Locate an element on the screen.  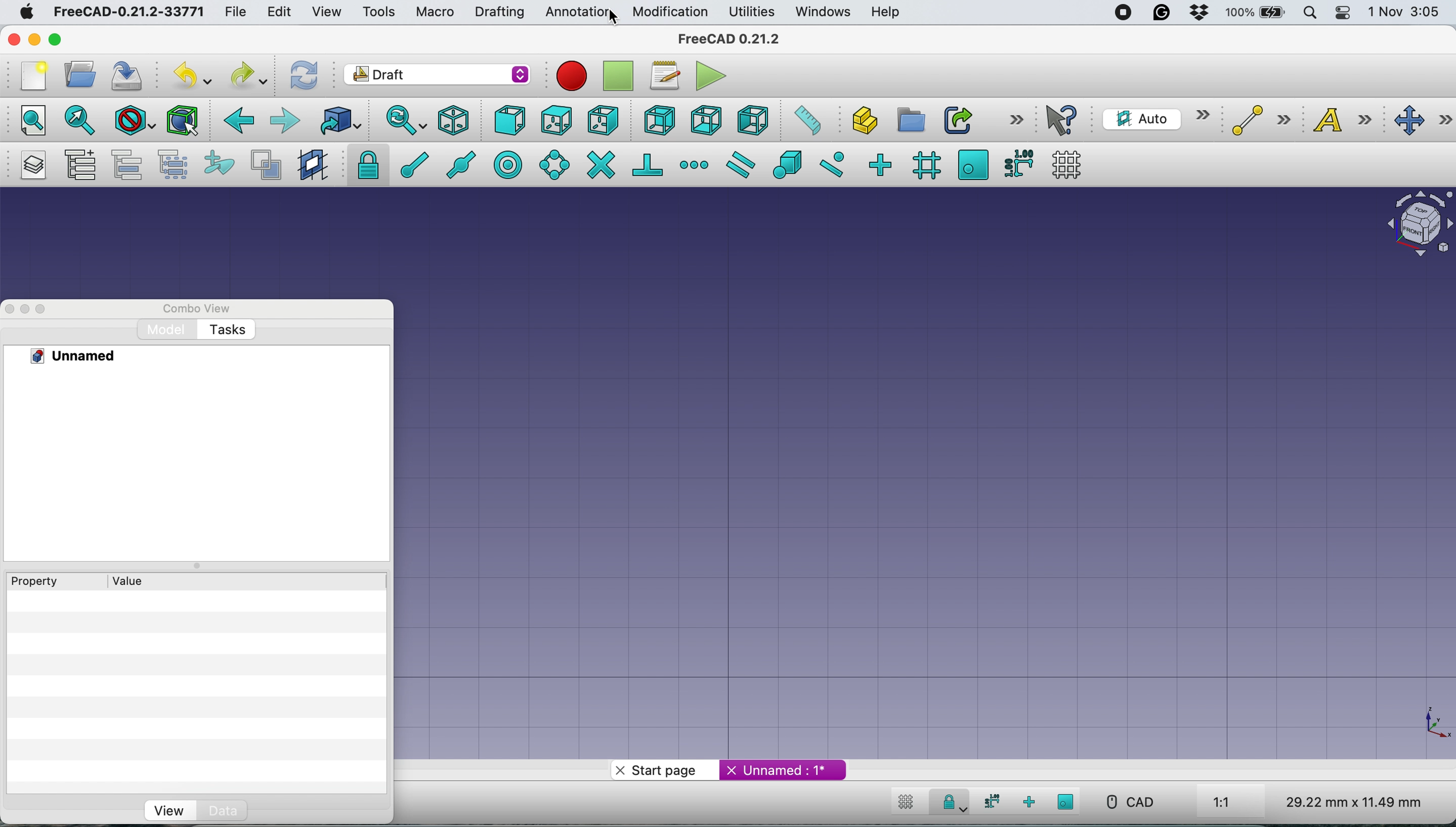
save is located at coordinates (126, 73).